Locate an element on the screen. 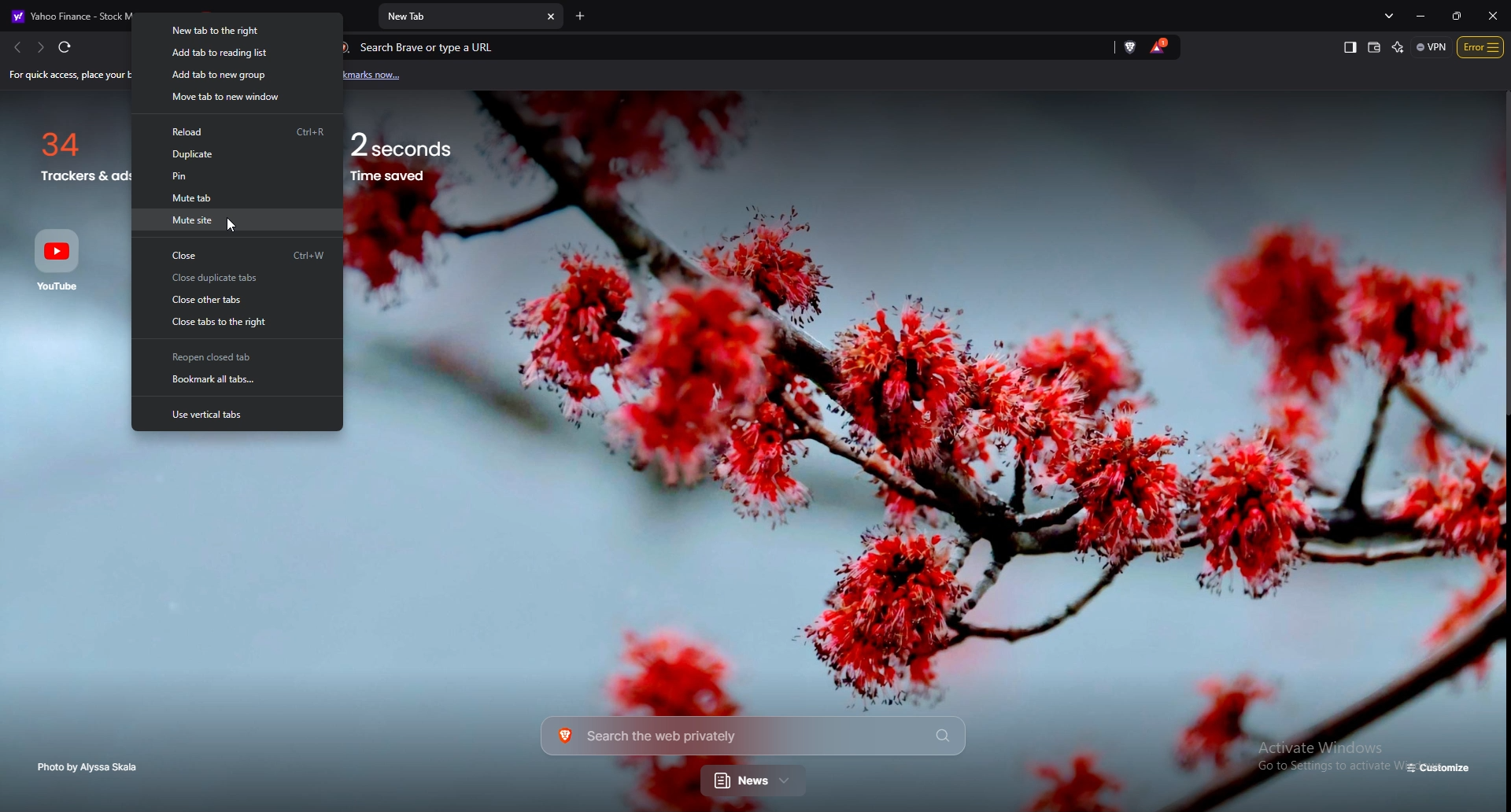  mute tab is located at coordinates (234, 197).